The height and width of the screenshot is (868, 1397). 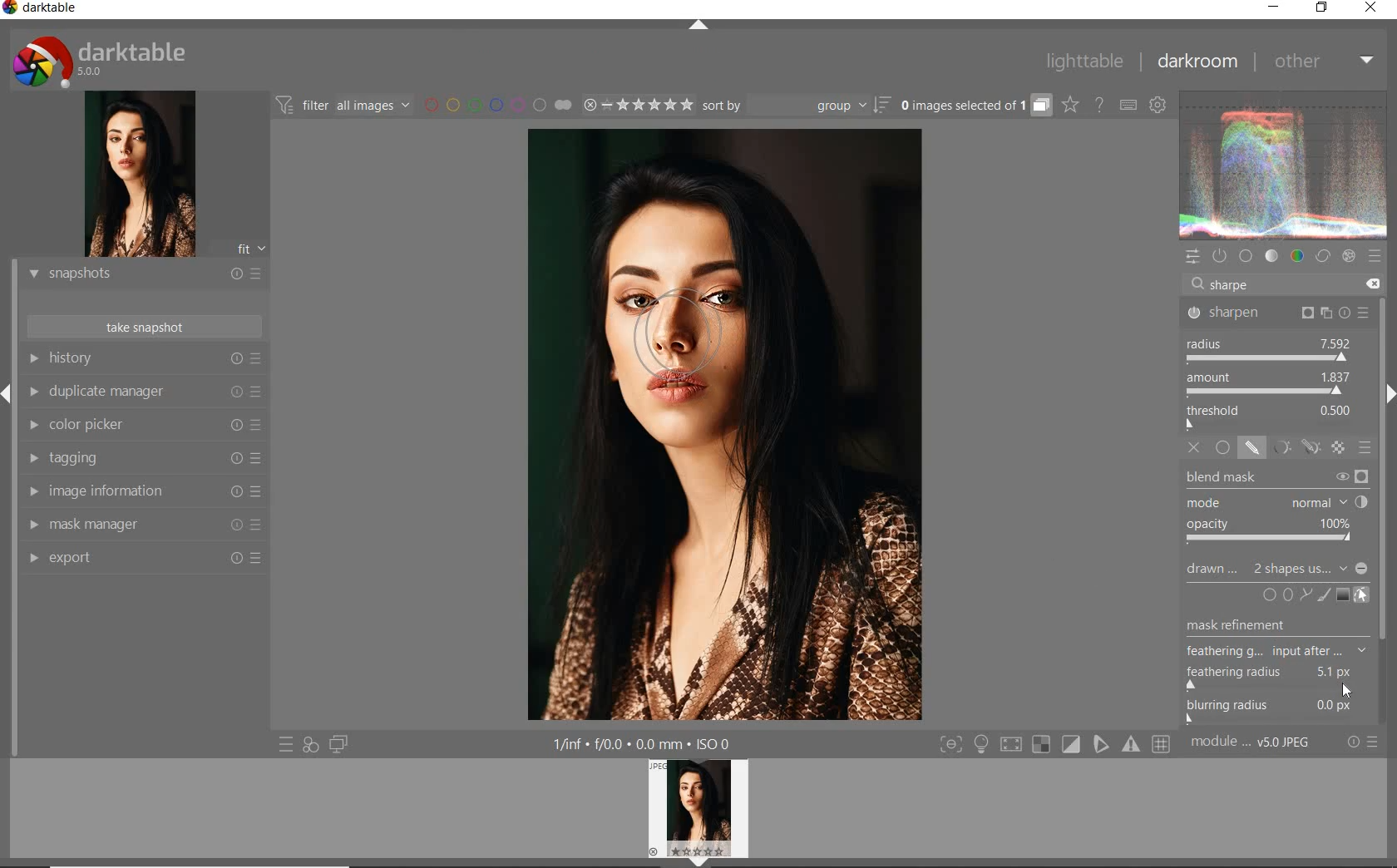 I want to click on search modules by name, so click(x=1284, y=284).